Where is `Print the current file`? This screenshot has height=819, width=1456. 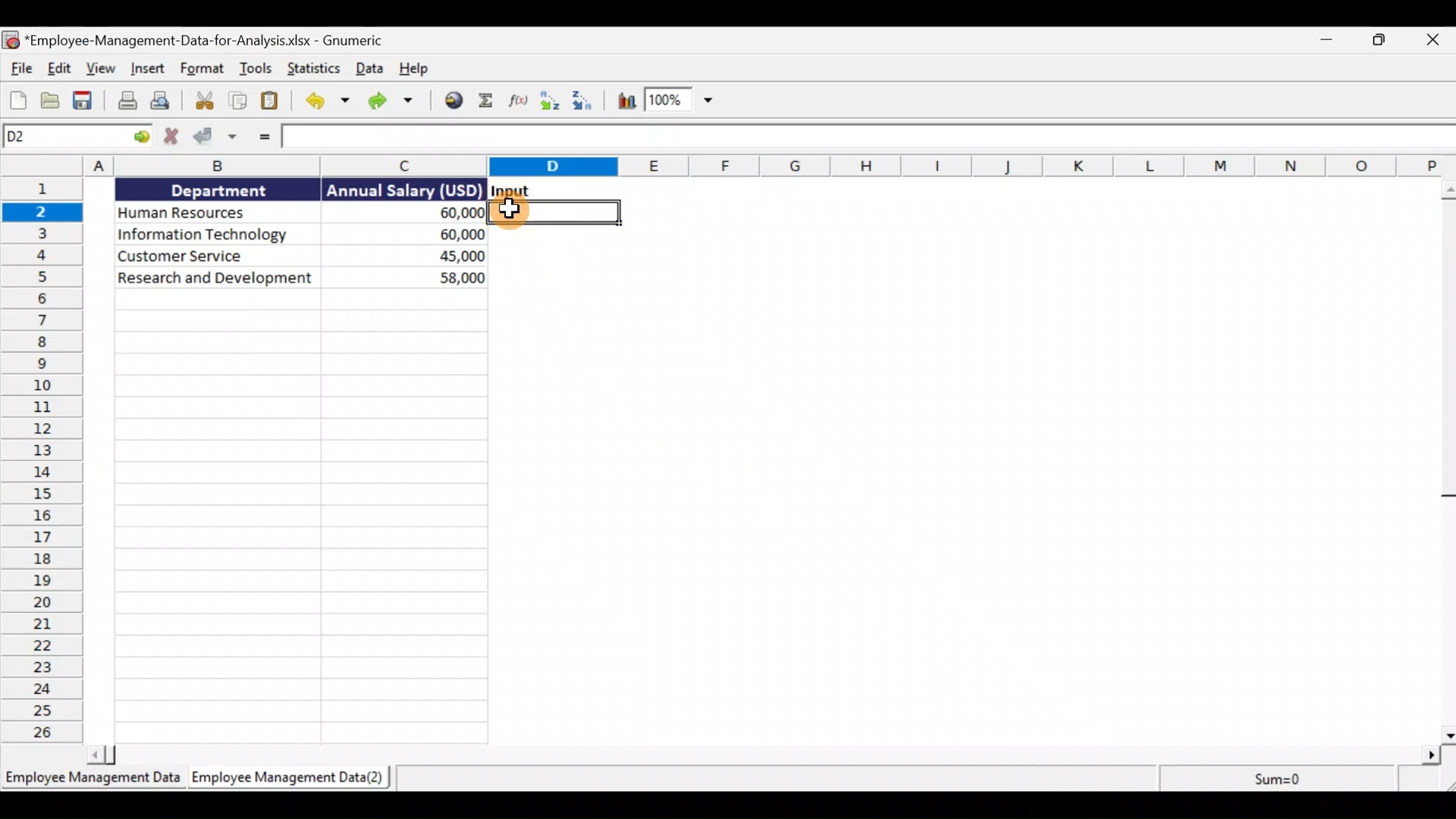 Print the current file is located at coordinates (125, 102).